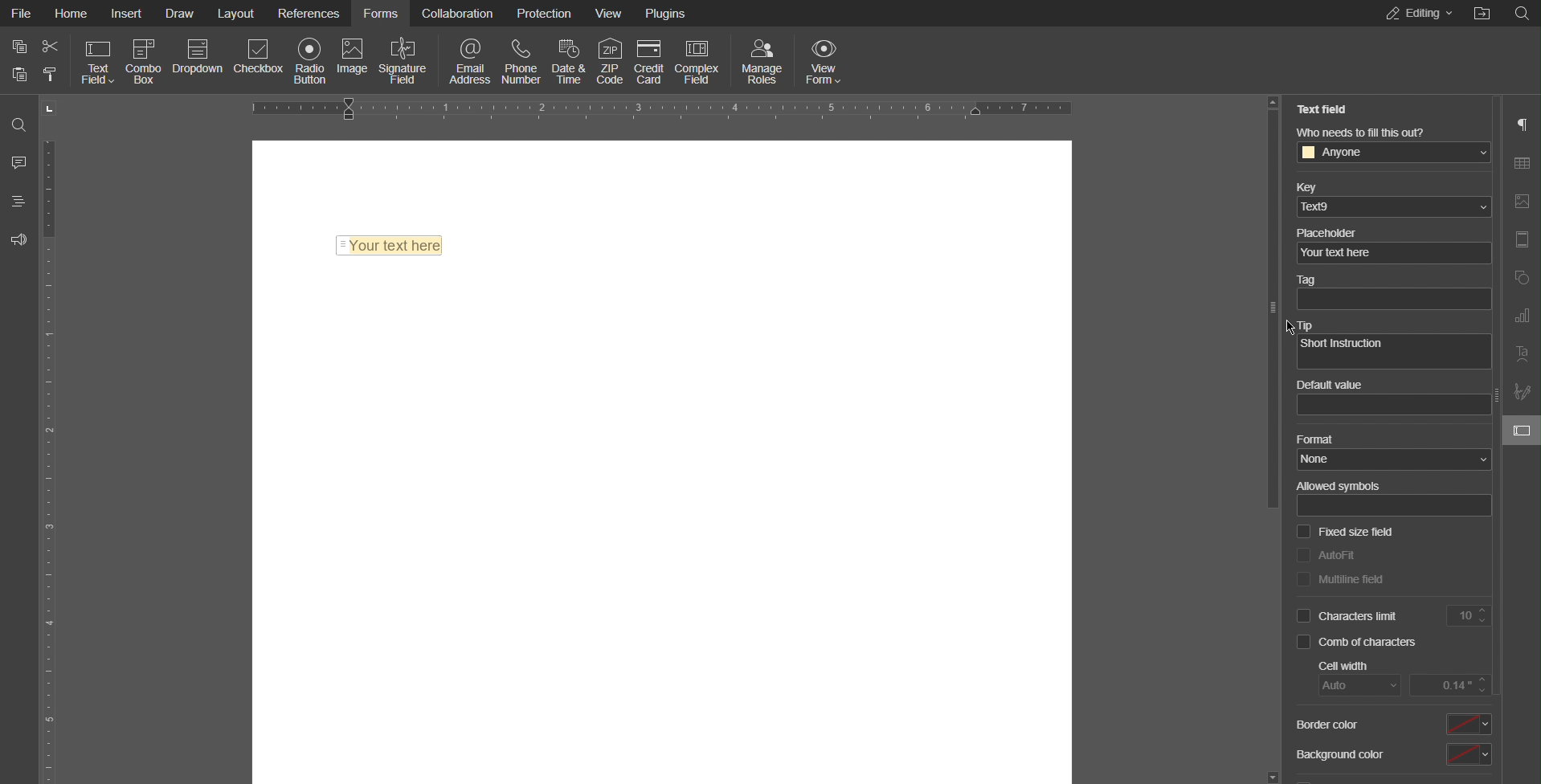  I want to click on Complex Field, so click(699, 60).